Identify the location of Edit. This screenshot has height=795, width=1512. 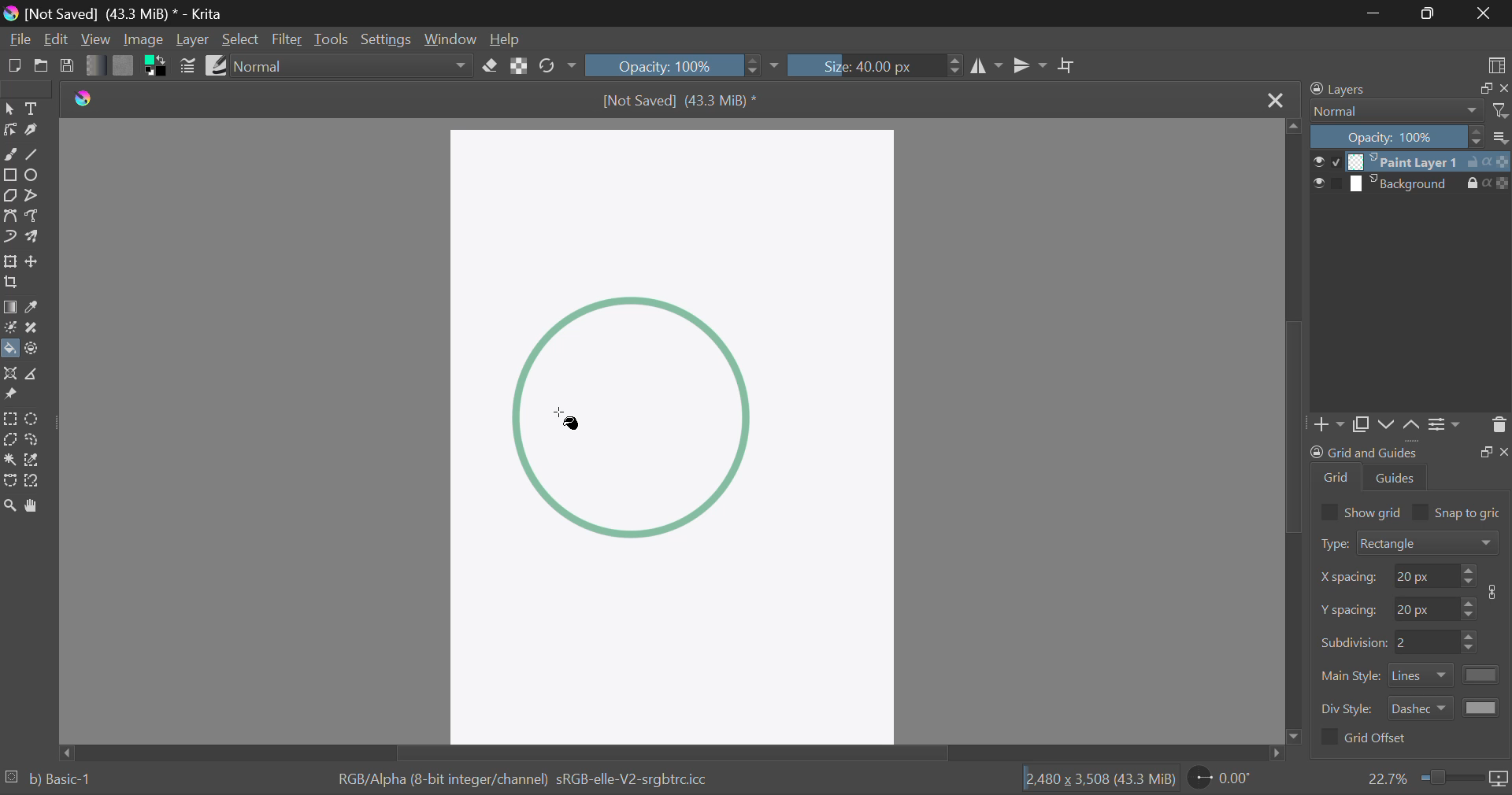
(57, 39).